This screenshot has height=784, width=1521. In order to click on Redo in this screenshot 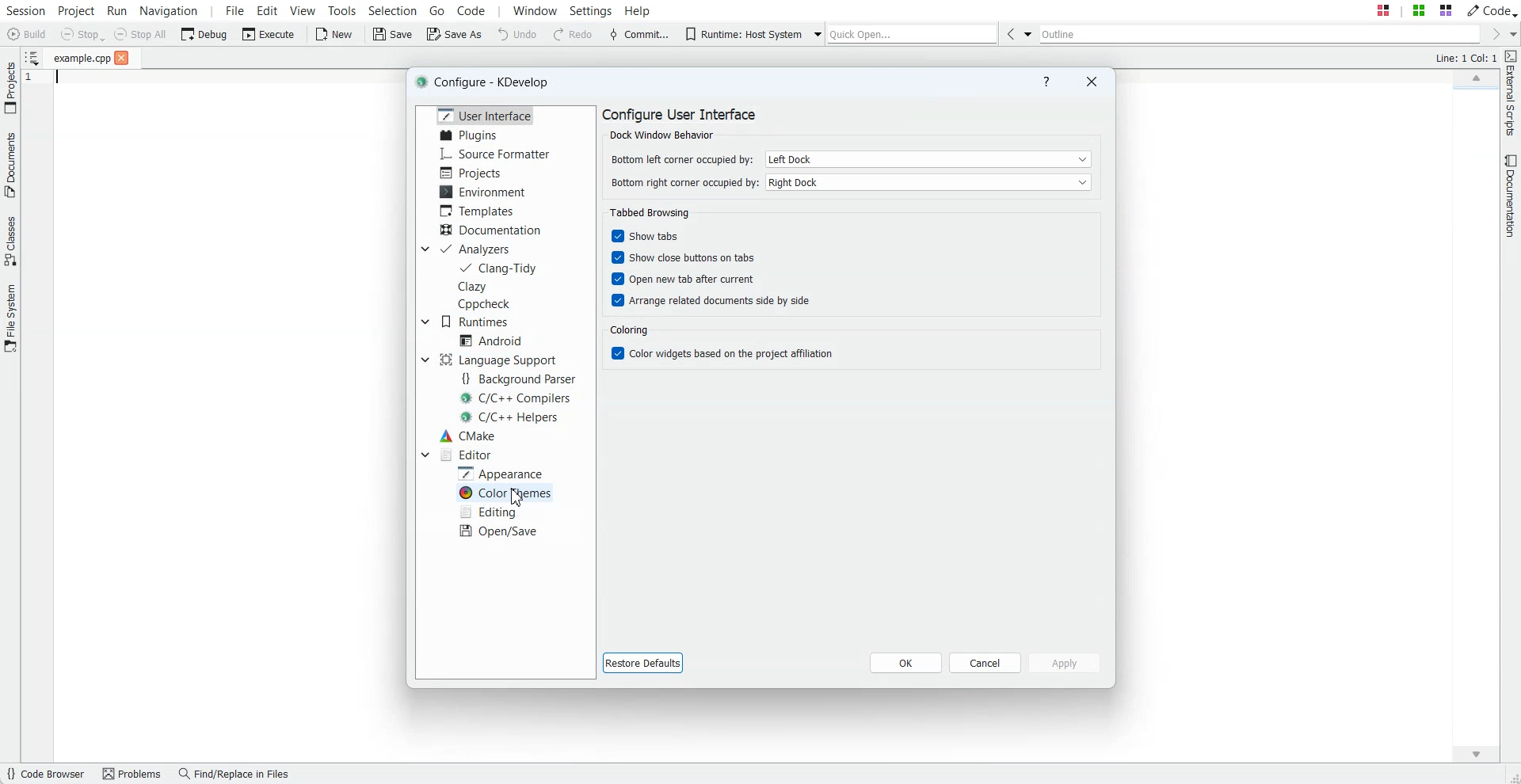, I will do `click(574, 35)`.